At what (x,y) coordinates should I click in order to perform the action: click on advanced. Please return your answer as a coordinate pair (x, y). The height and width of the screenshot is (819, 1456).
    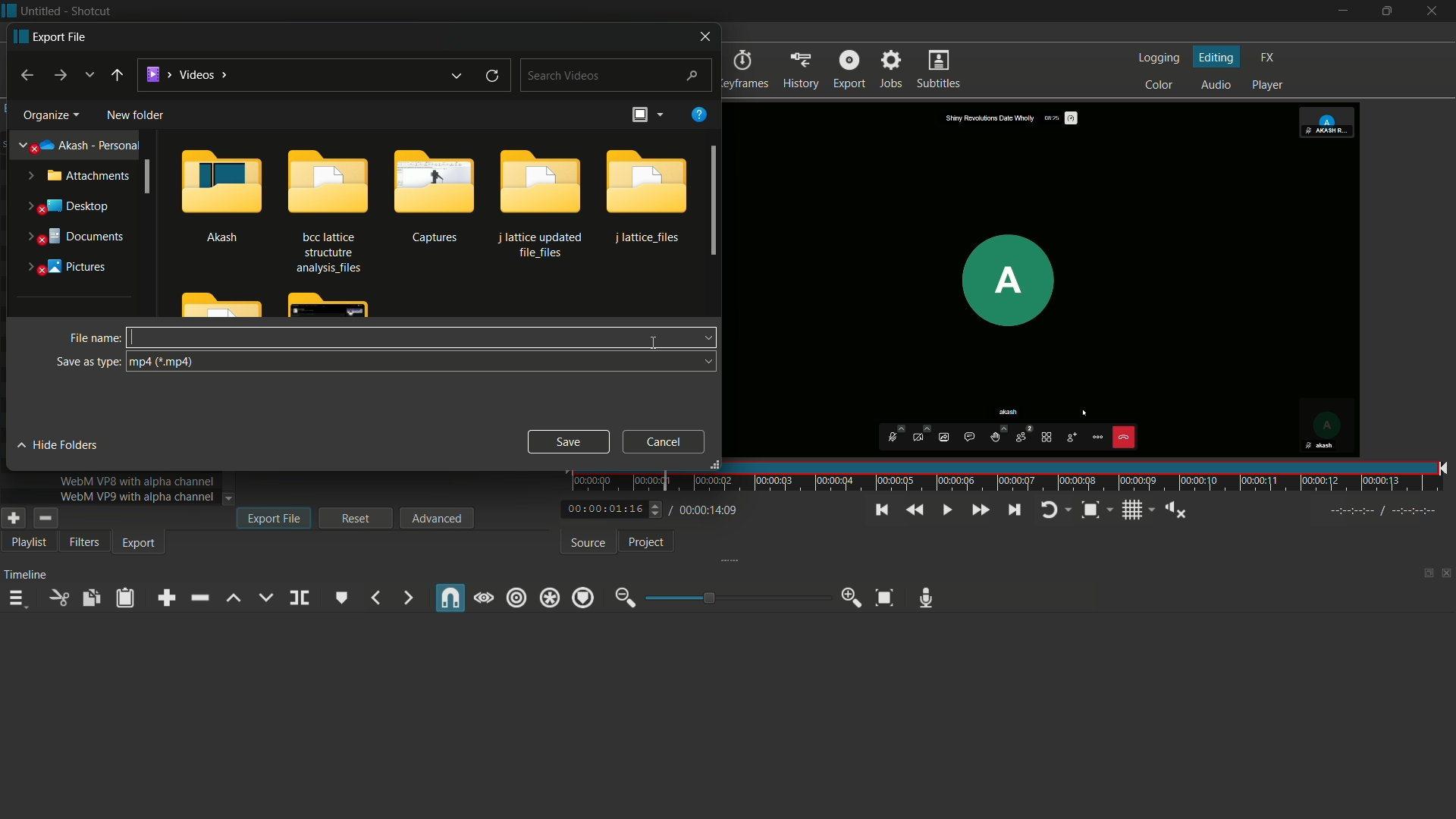
    Looking at the image, I should click on (438, 517).